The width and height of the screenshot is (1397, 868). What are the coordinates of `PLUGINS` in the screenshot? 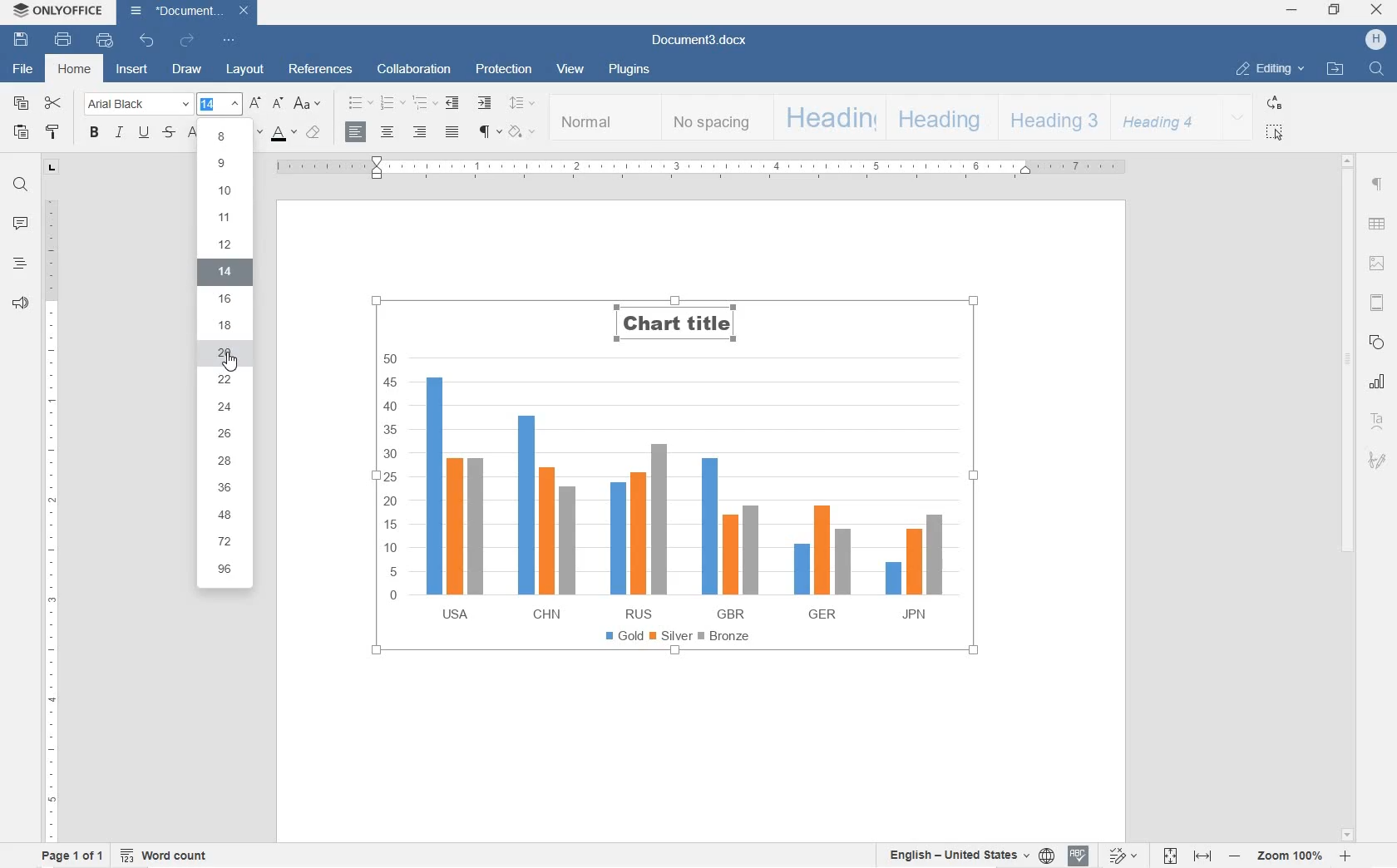 It's located at (628, 70).